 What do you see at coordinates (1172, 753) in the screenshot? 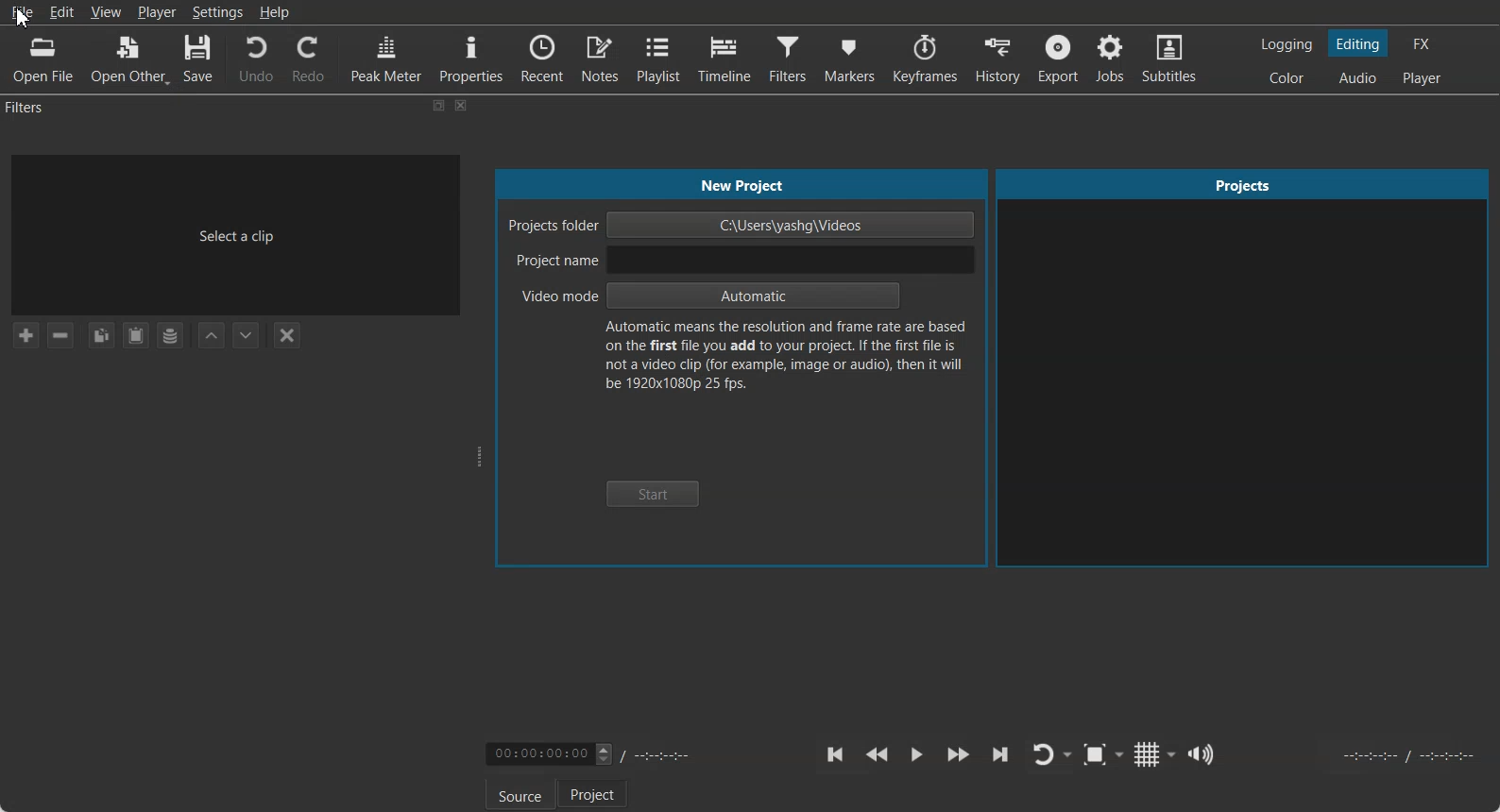
I see `Drop down box` at bounding box center [1172, 753].